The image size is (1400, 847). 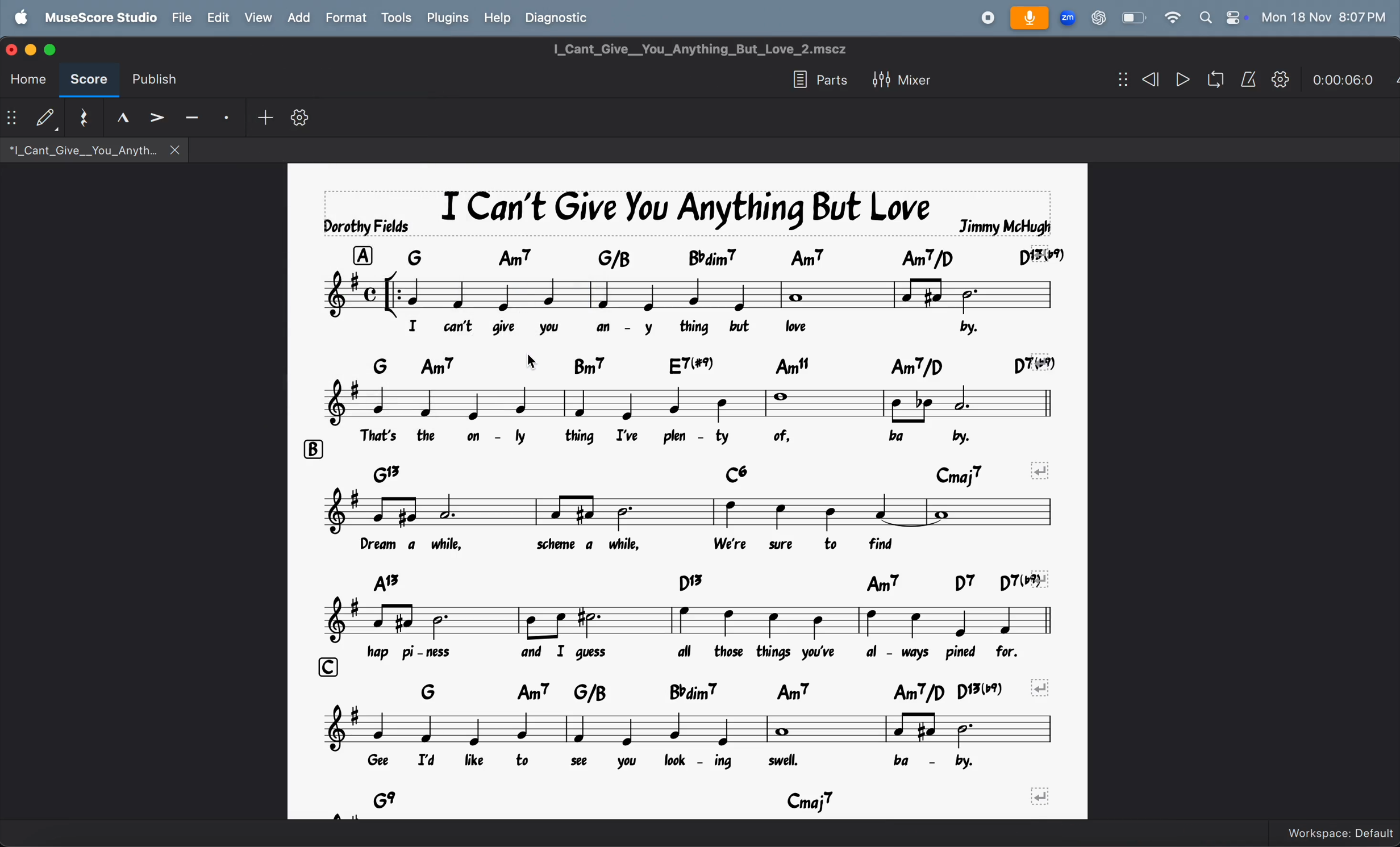 What do you see at coordinates (1181, 78) in the screenshot?
I see `play` at bounding box center [1181, 78].